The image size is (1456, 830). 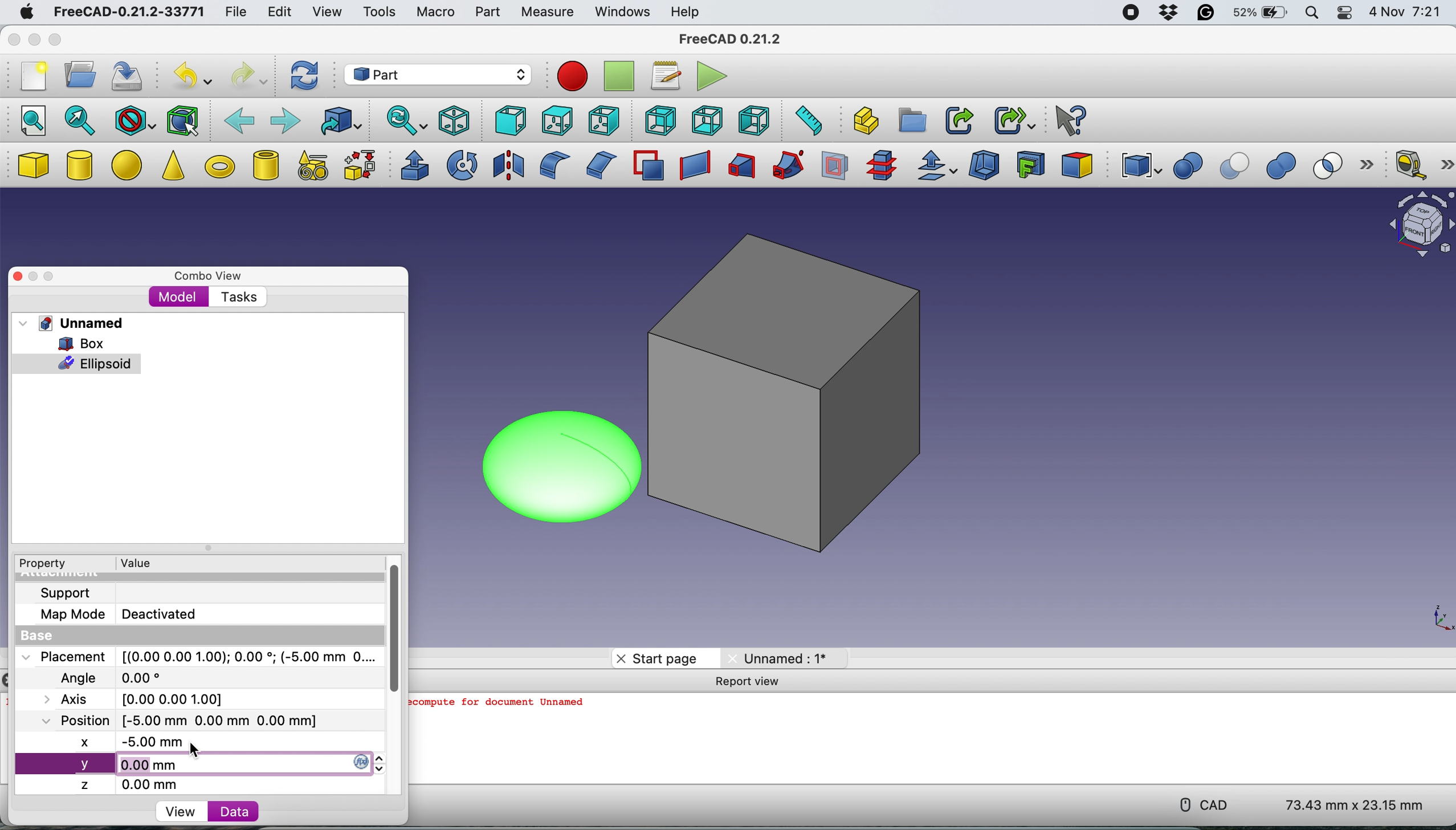 What do you see at coordinates (1286, 166) in the screenshot?
I see `union` at bounding box center [1286, 166].